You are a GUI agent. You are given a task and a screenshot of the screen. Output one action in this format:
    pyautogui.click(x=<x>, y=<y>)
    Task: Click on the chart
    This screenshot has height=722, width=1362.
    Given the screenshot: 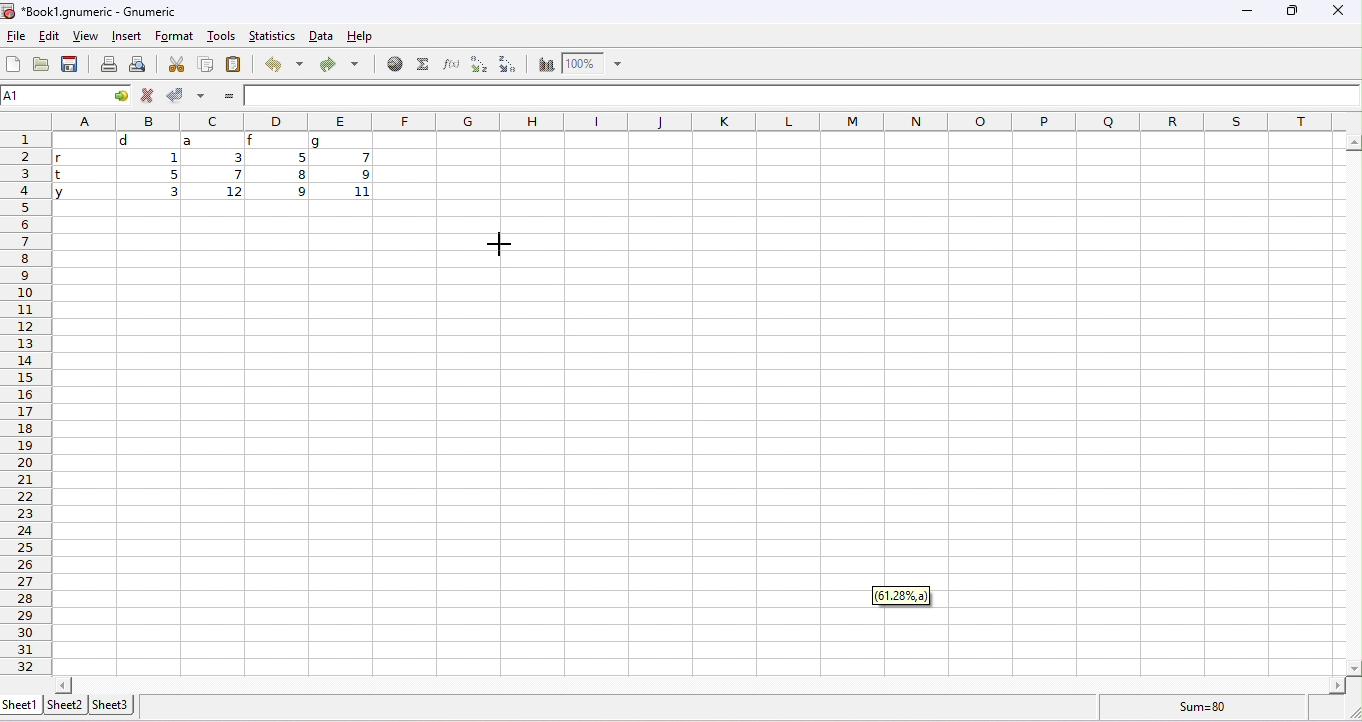 What is the action you would take?
    pyautogui.click(x=543, y=64)
    